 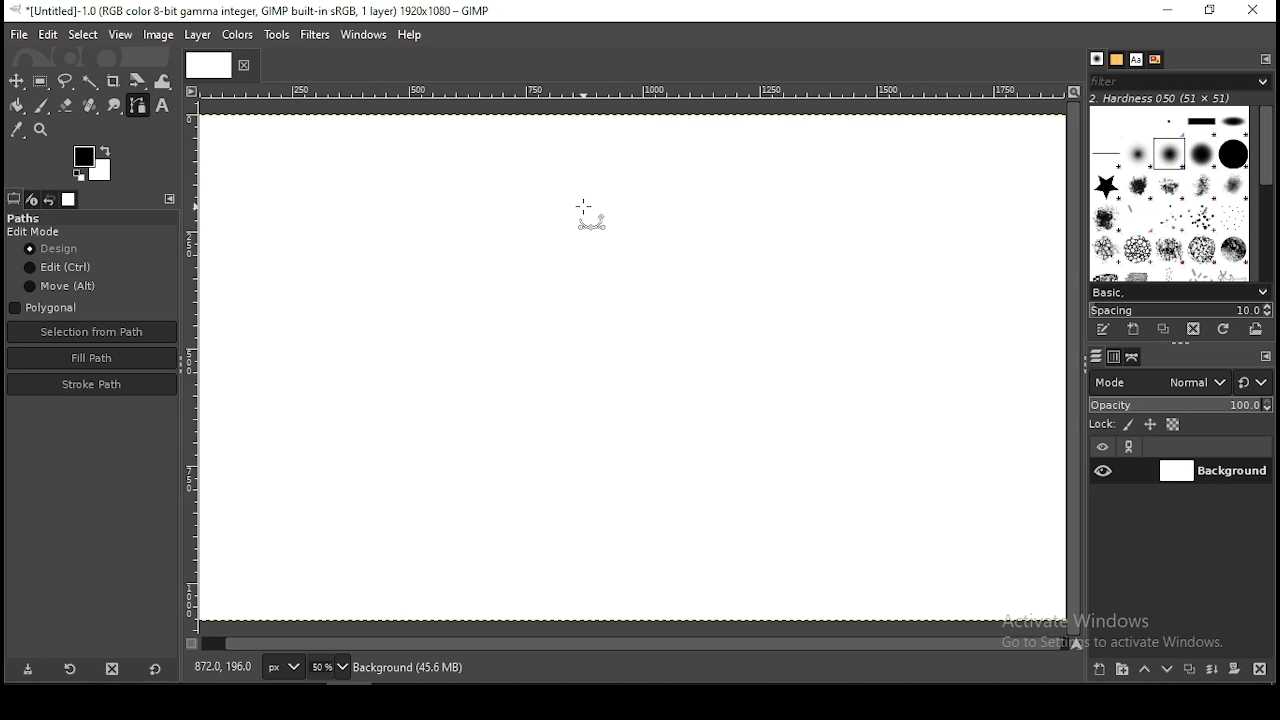 What do you see at coordinates (138, 81) in the screenshot?
I see `shear tool` at bounding box center [138, 81].